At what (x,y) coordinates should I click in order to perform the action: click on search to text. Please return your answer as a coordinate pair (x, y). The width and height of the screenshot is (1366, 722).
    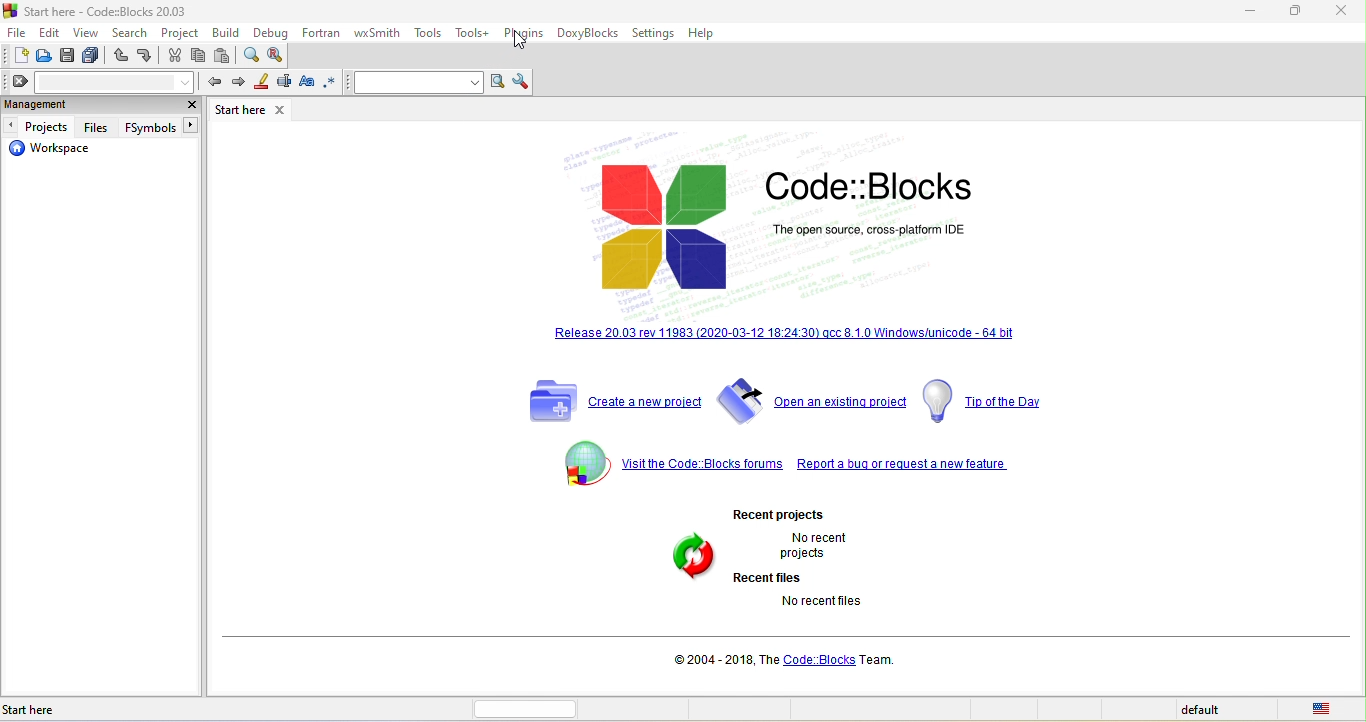
    Looking at the image, I should click on (417, 82).